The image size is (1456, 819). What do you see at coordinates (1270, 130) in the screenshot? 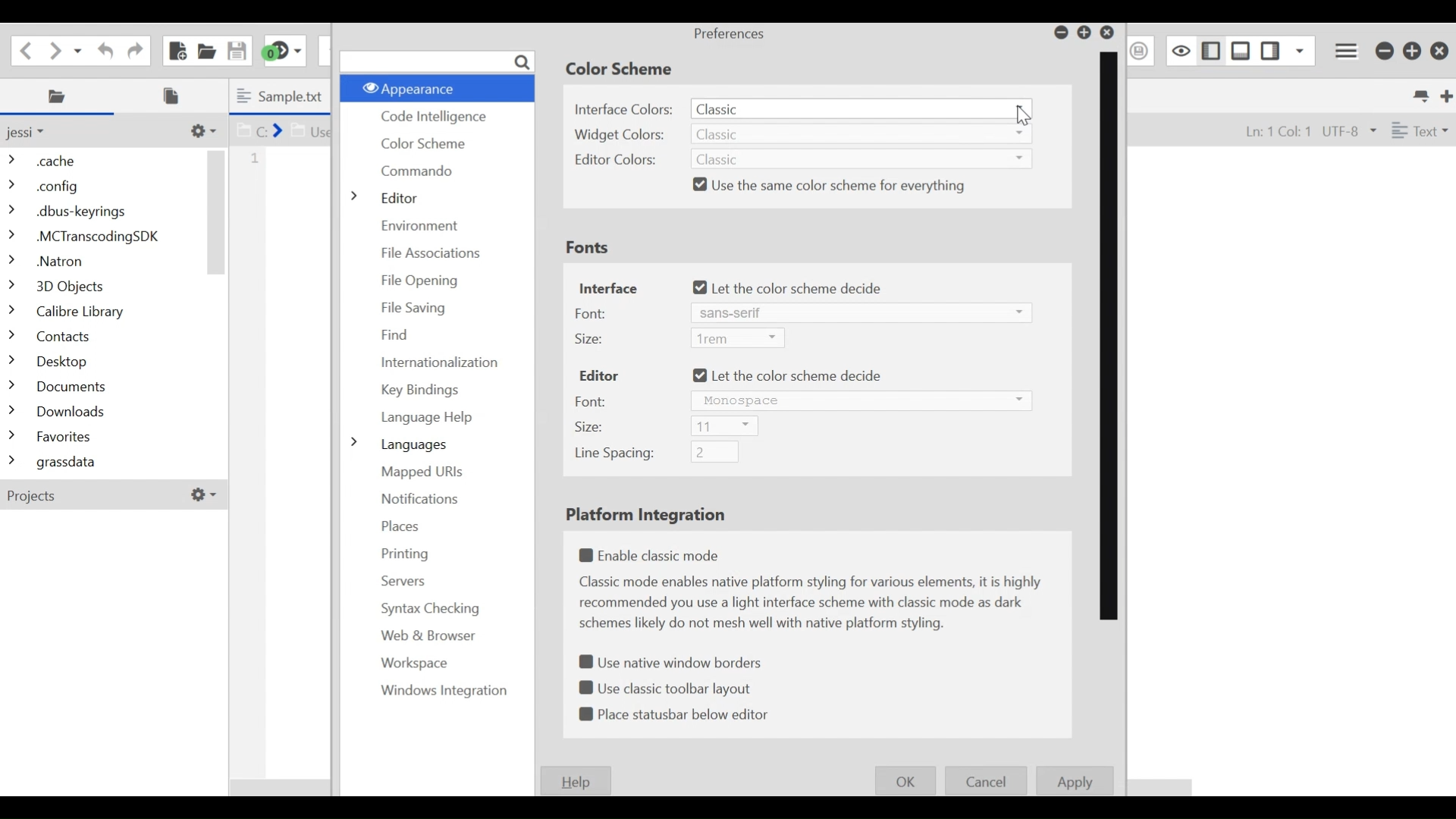
I see `File Position` at bounding box center [1270, 130].